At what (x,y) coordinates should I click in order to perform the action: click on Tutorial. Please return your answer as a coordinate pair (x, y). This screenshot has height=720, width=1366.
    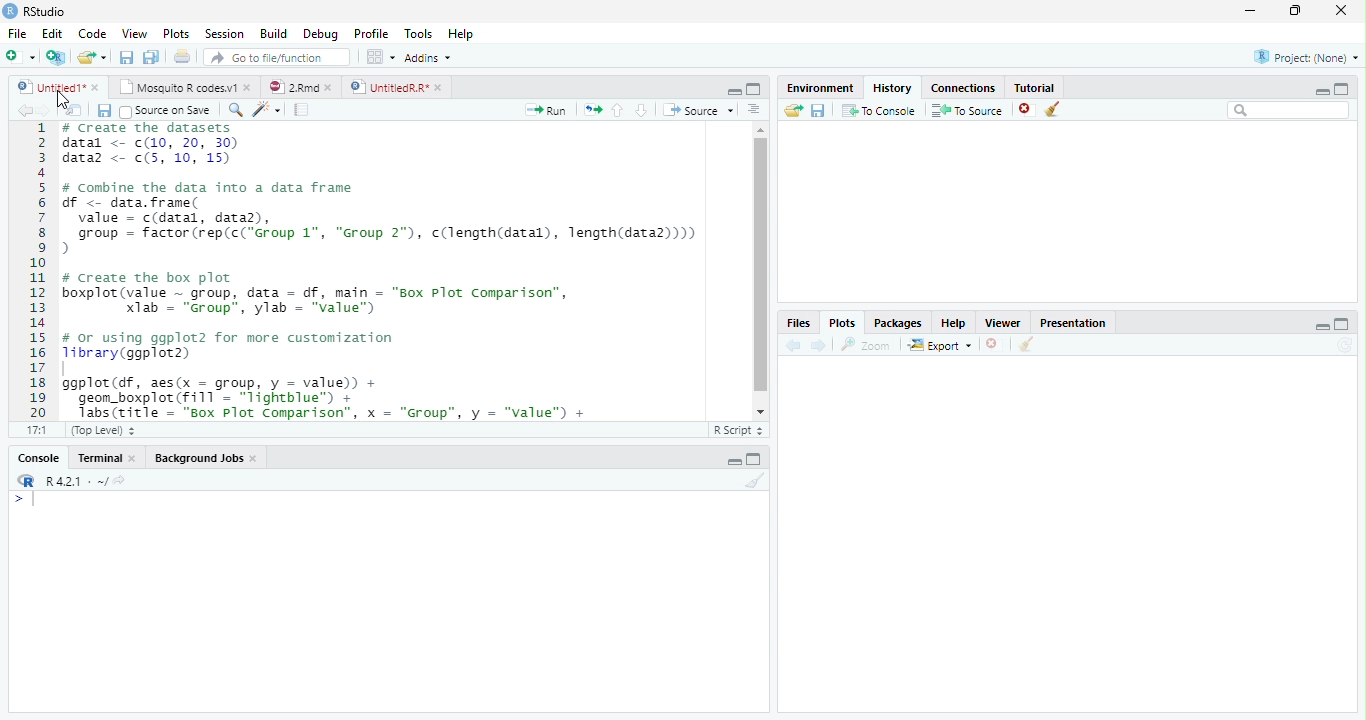
    Looking at the image, I should click on (1035, 88).